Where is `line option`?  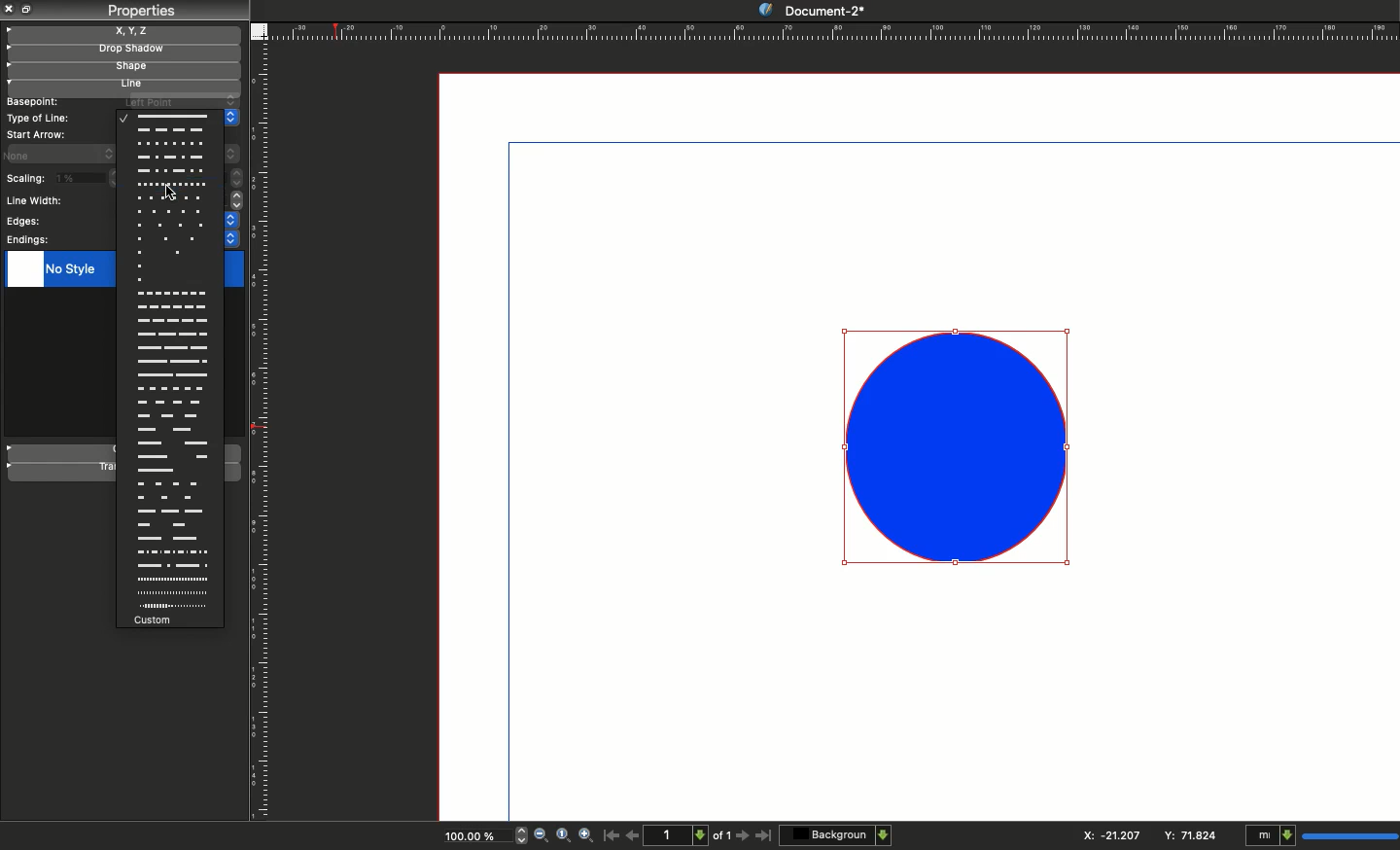 line option is located at coordinates (170, 158).